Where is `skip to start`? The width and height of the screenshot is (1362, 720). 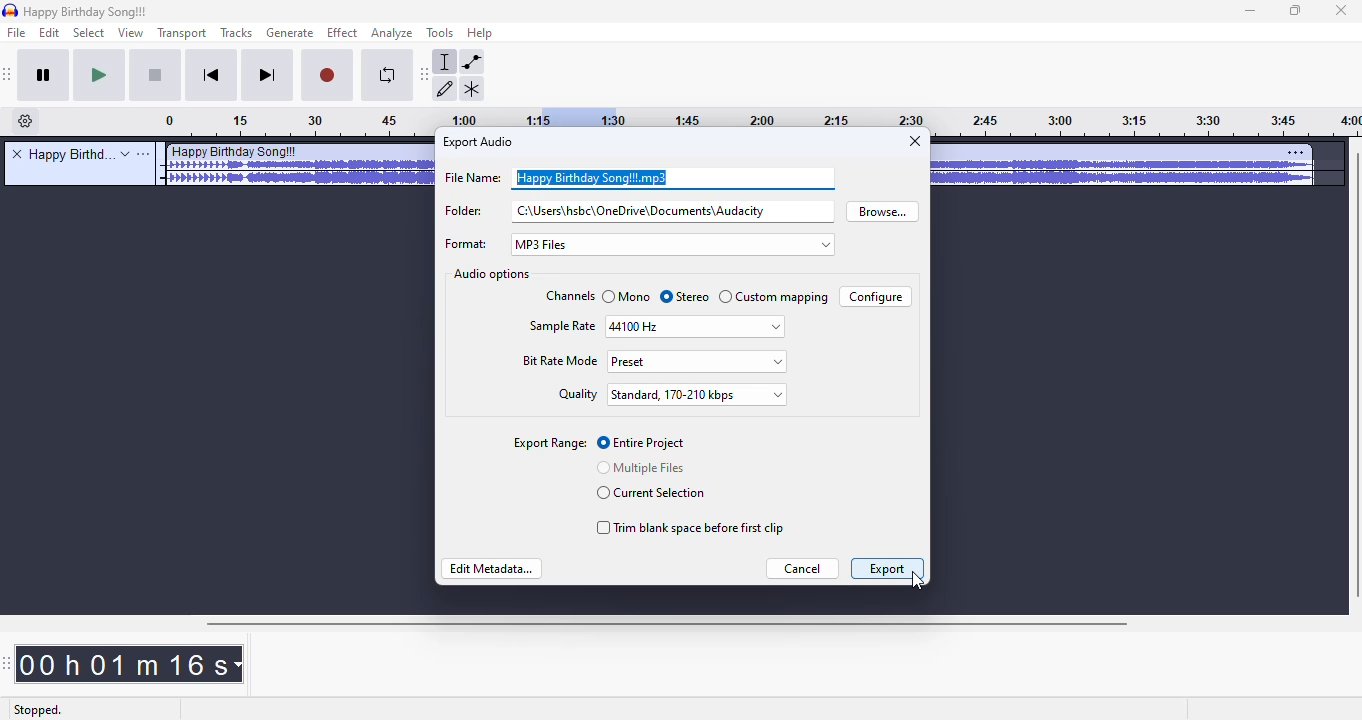
skip to start is located at coordinates (214, 76).